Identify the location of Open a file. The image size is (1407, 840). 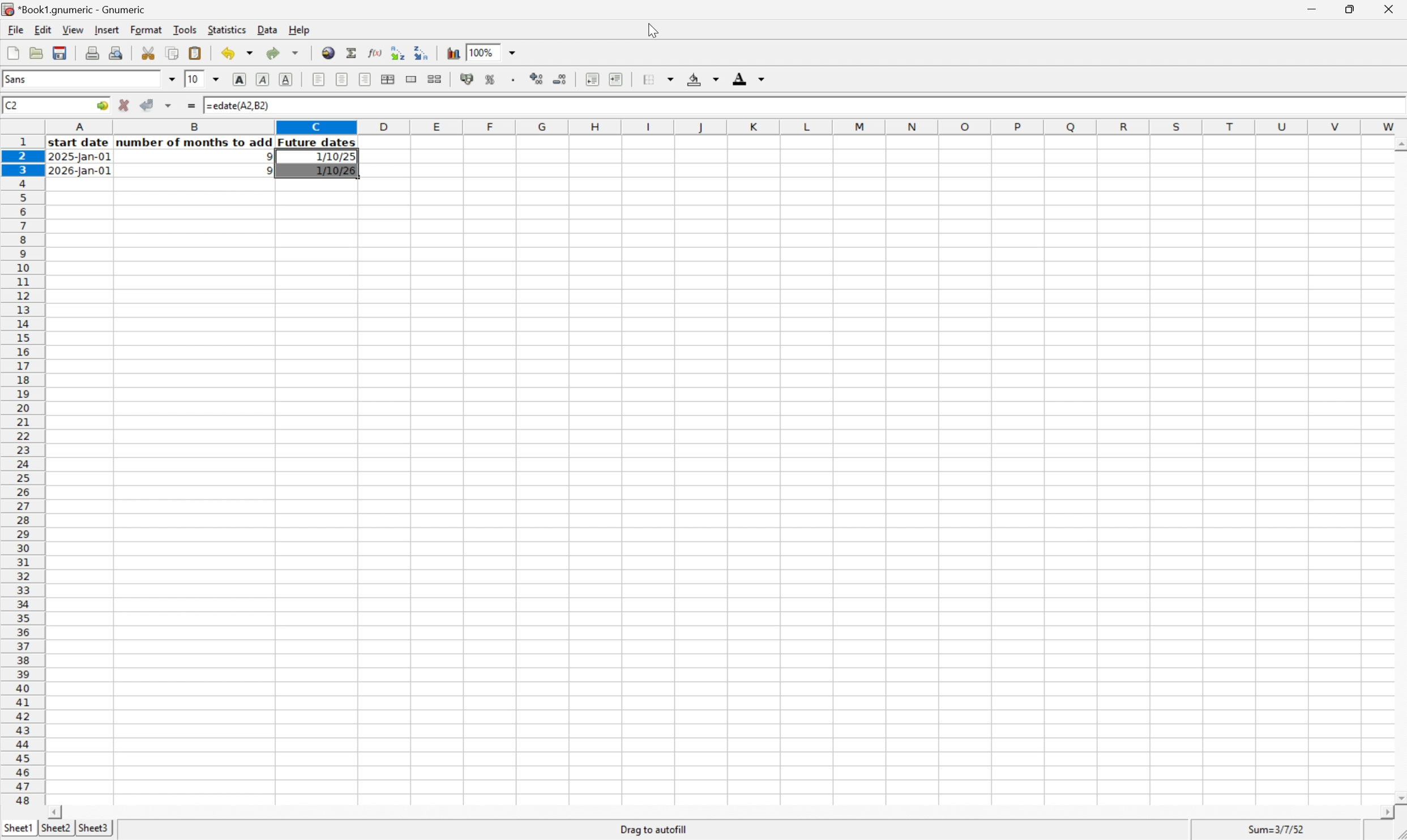
(35, 53).